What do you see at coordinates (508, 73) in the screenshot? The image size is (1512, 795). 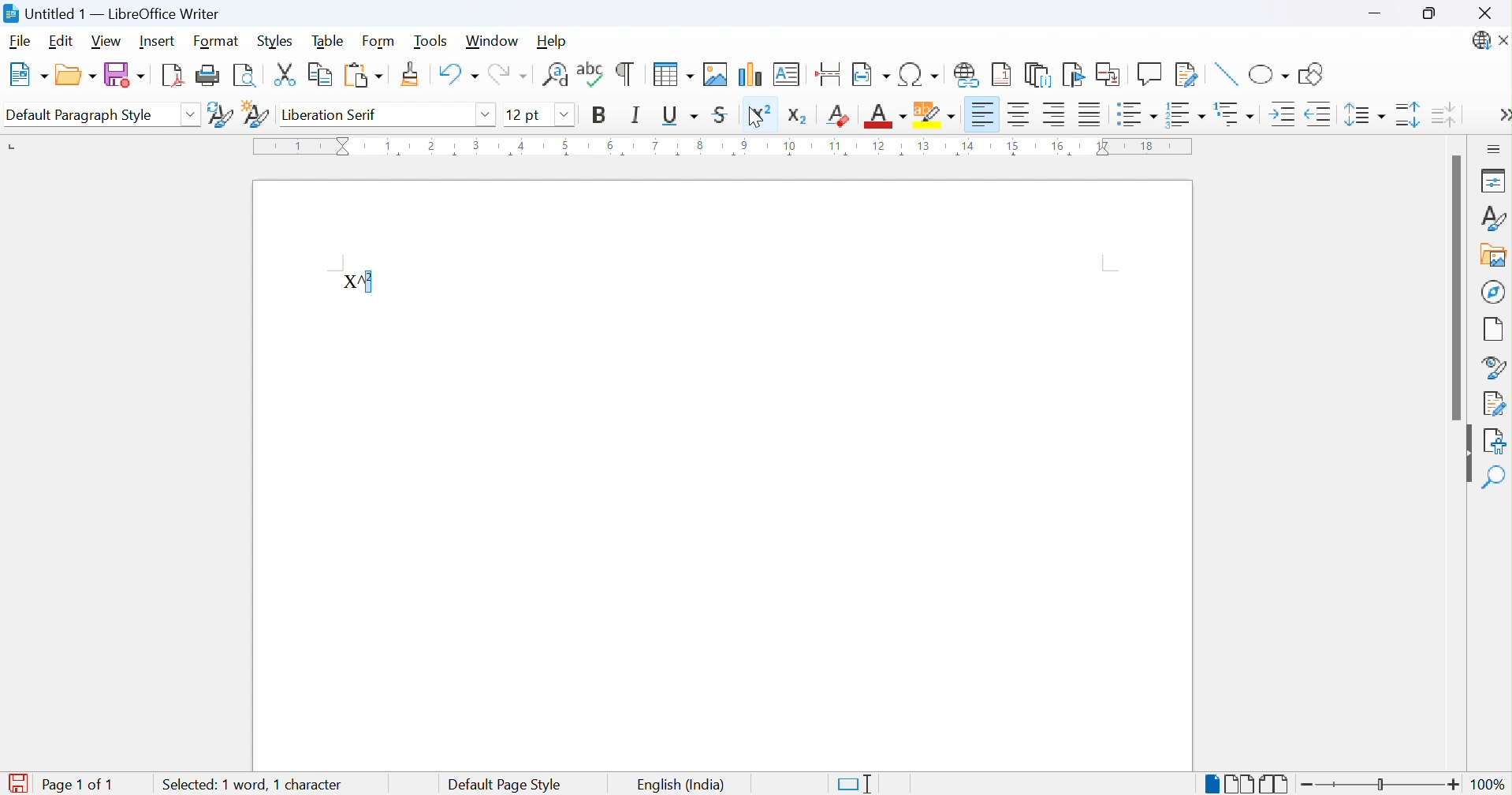 I see `Redo` at bounding box center [508, 73].